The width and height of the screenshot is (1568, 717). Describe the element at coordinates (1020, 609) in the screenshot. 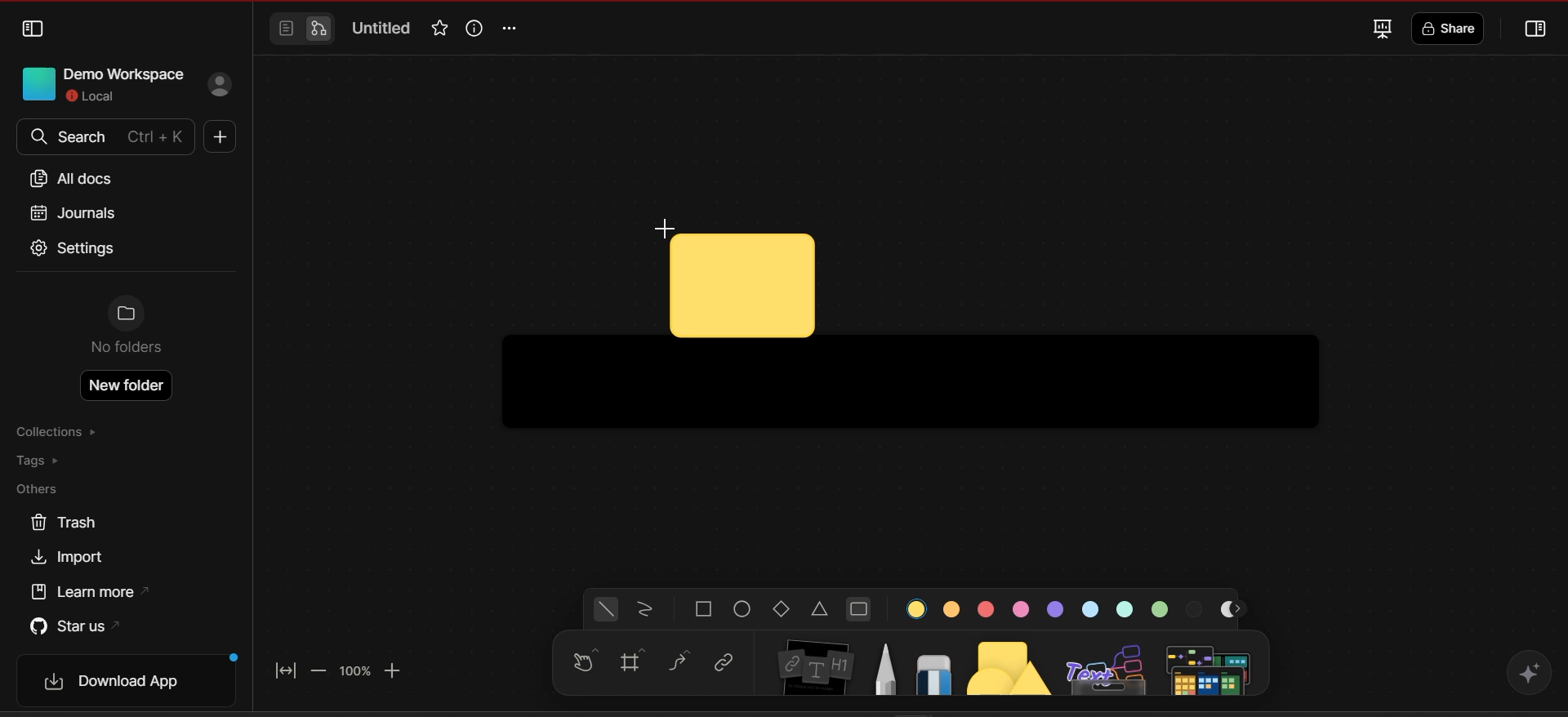

I see `color 4` at that location.